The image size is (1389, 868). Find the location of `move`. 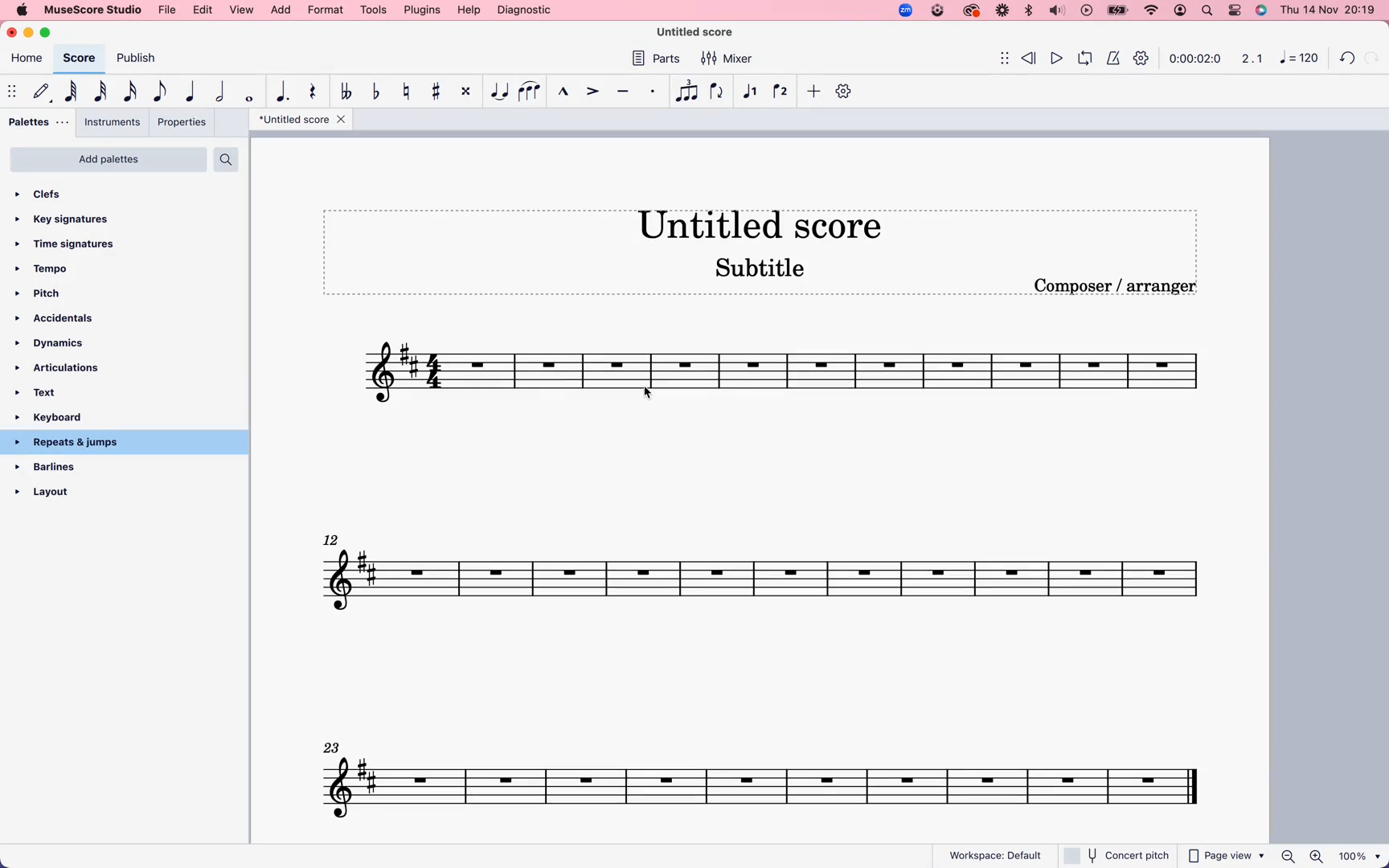

move is located at coordinates (997, 57).